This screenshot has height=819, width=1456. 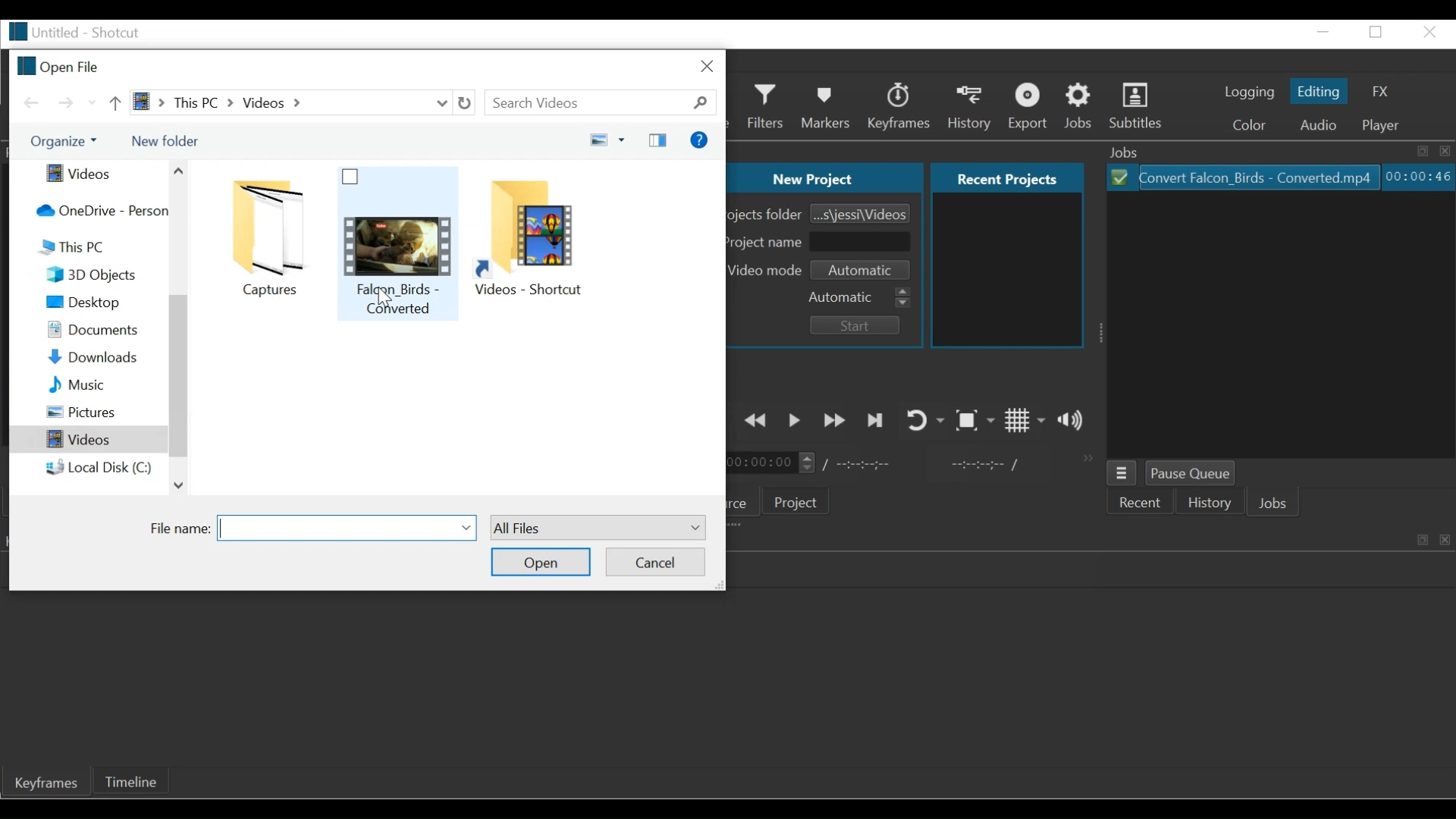 I want to click on Jobs, so click(x=1079, y=108).